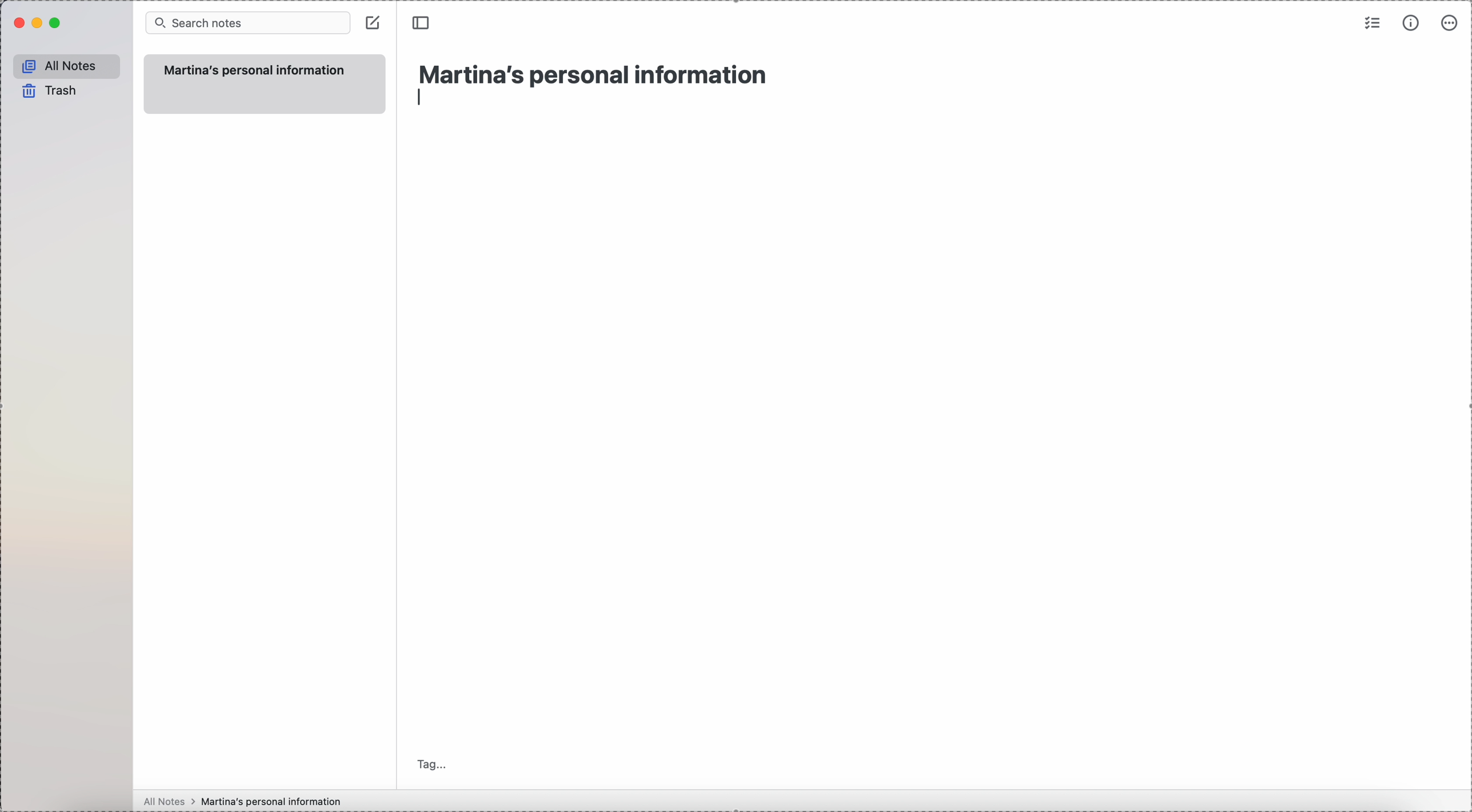  Describe the element at coordinates (419, 23) in the screenshot. I see `toggle sidebar` at that location.